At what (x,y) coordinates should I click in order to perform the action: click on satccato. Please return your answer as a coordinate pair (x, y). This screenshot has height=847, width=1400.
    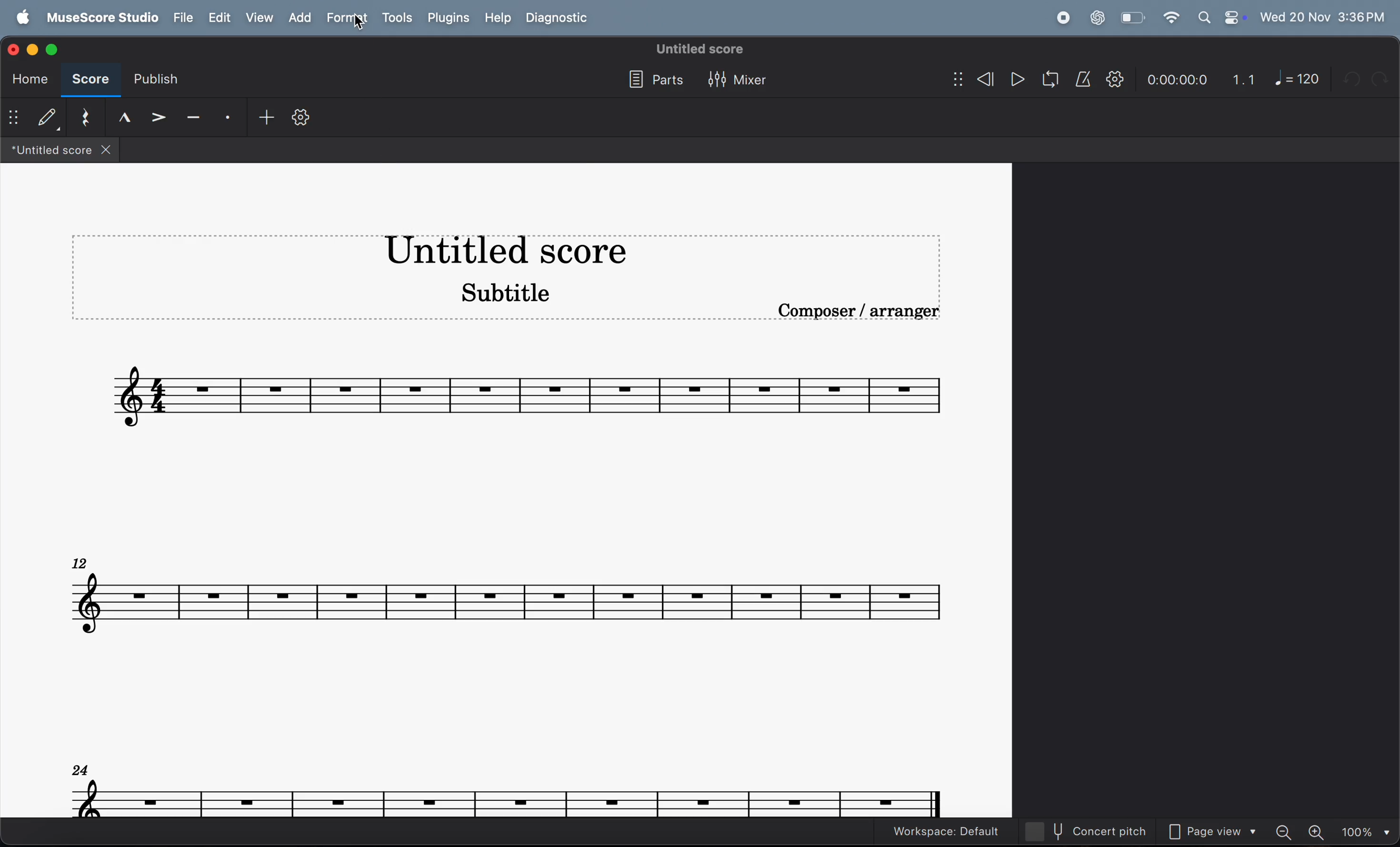
    Looking at the image, I should click on (228, 118).